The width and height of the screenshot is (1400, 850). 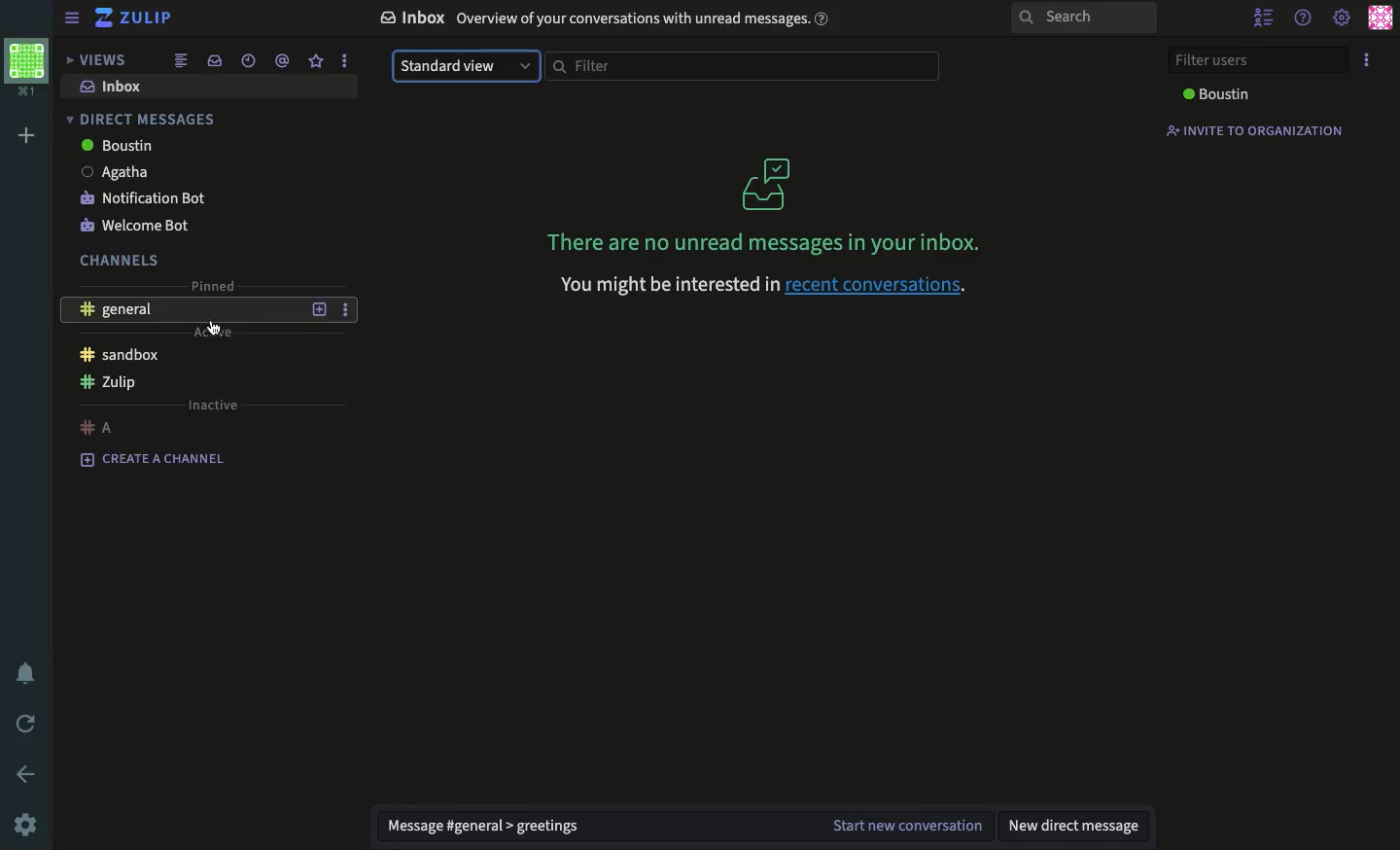 I want to click on a, so click(x=98, y=425).